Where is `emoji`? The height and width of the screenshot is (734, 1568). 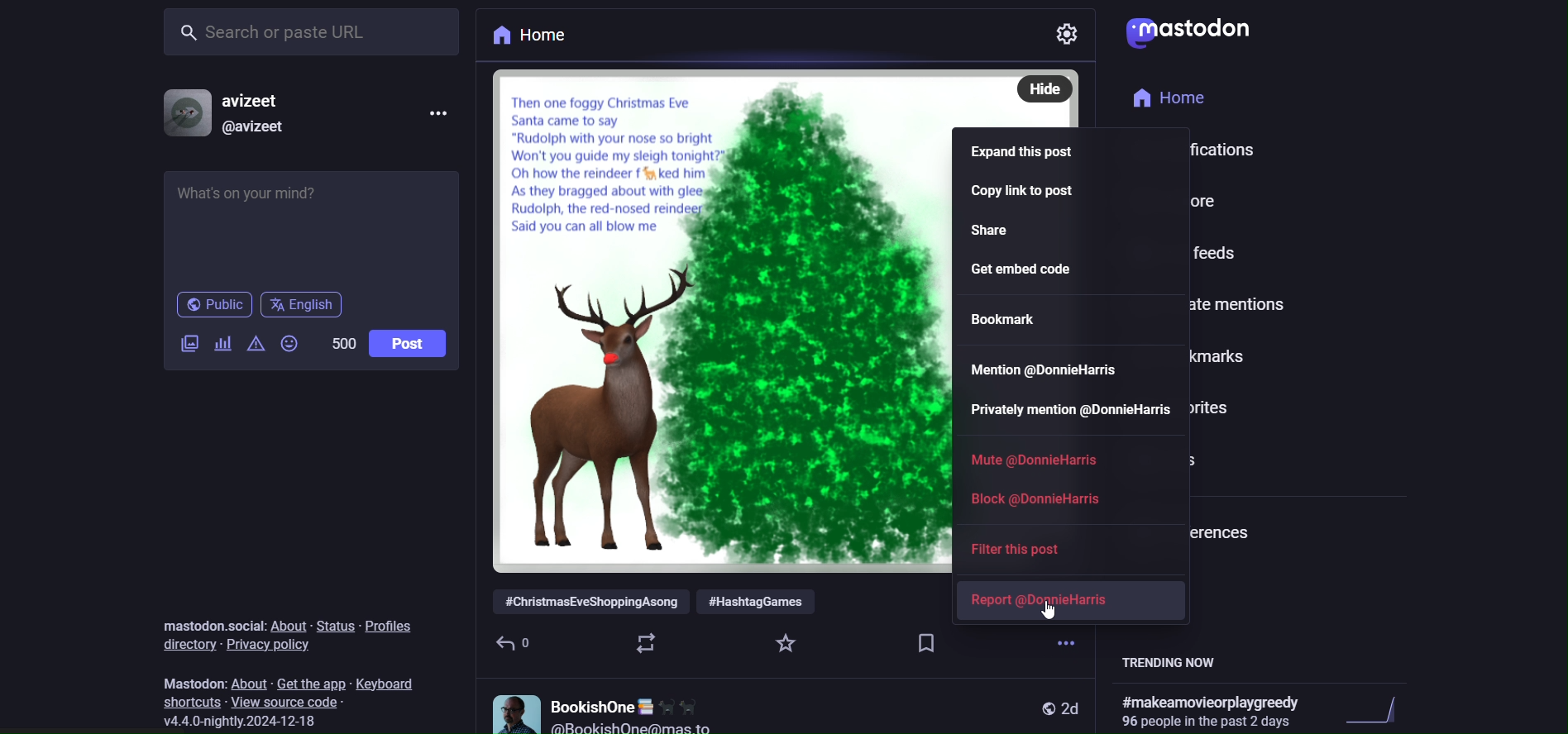 emoji is located at coordinates (291, 343).